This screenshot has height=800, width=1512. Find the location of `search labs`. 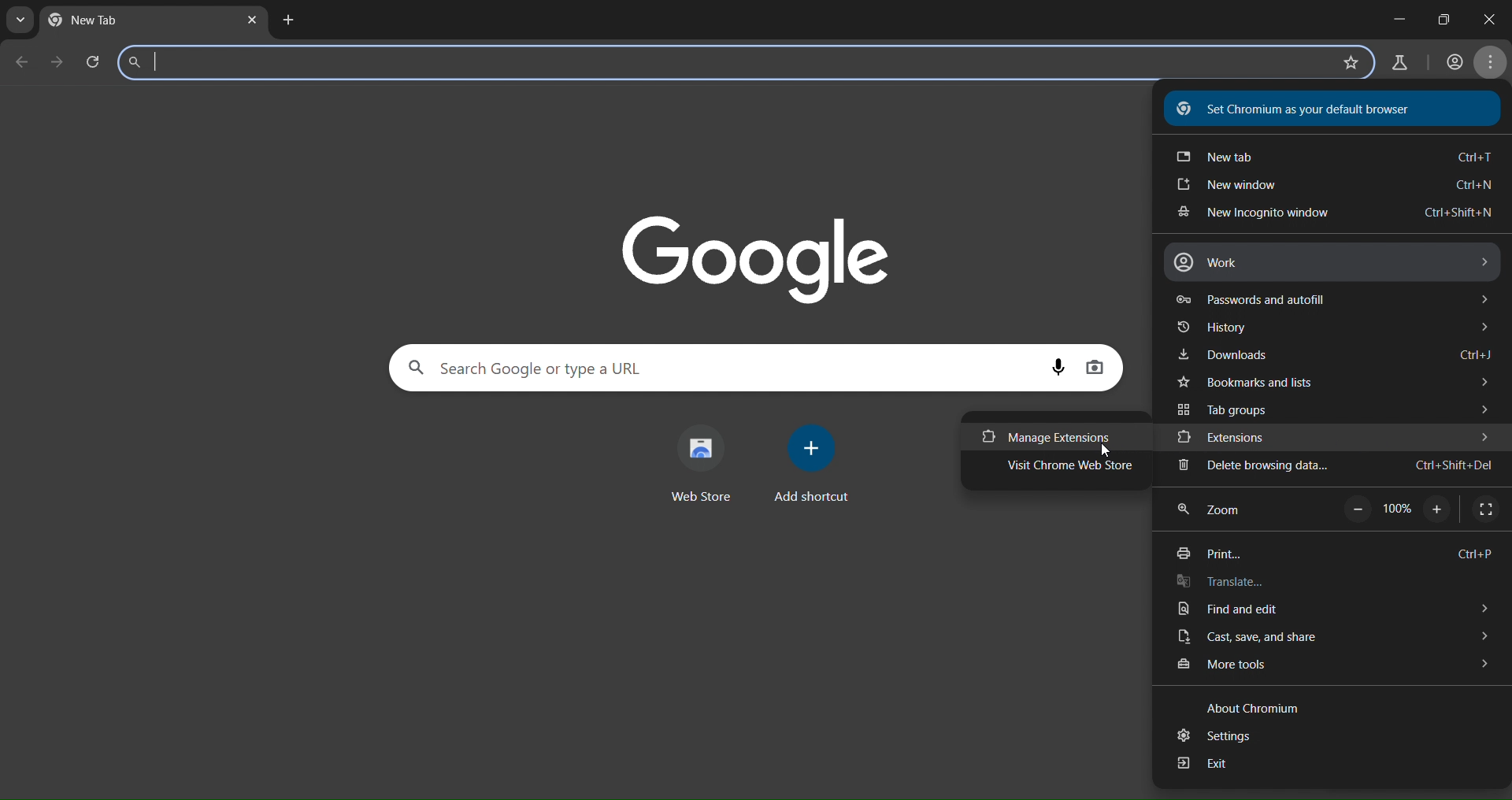

search labs is located at coordinates (728, 63).